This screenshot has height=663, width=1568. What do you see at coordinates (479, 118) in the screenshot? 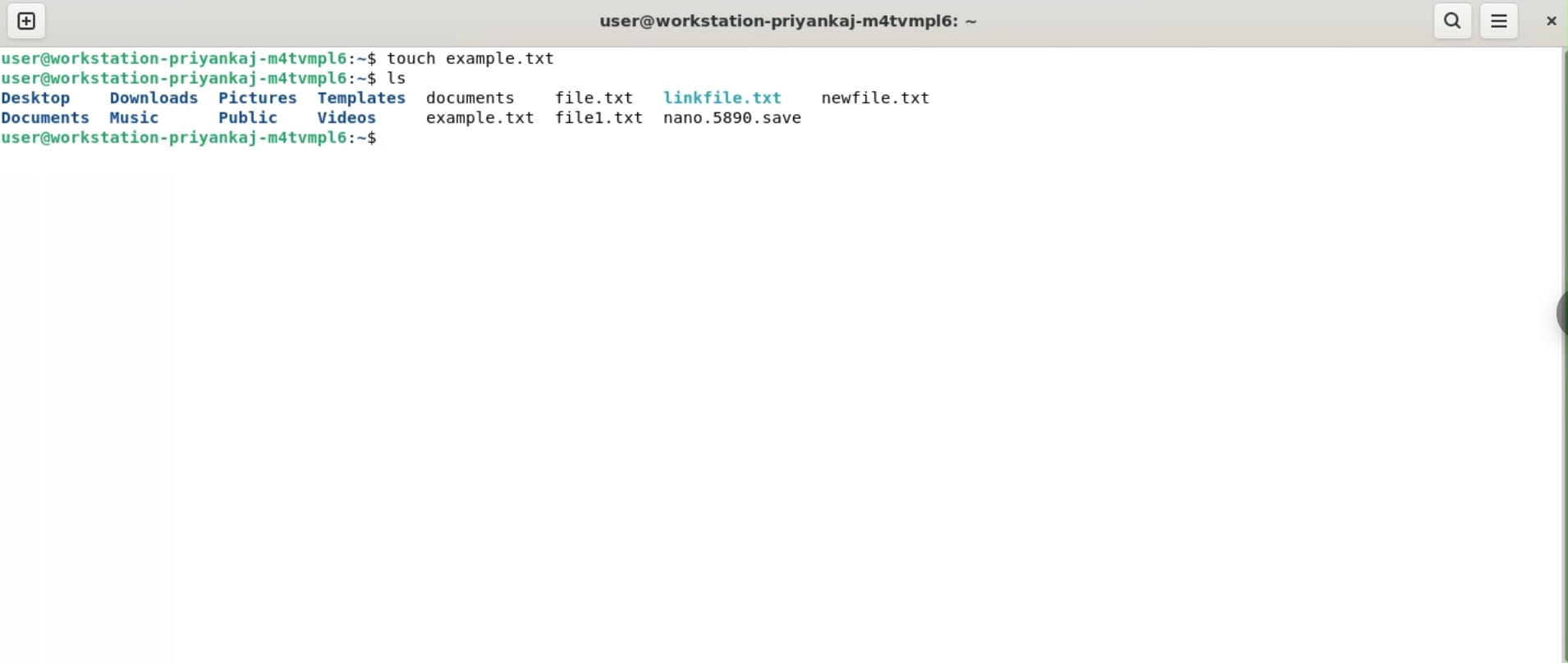
I see `example` at bounding box center [479, 118].